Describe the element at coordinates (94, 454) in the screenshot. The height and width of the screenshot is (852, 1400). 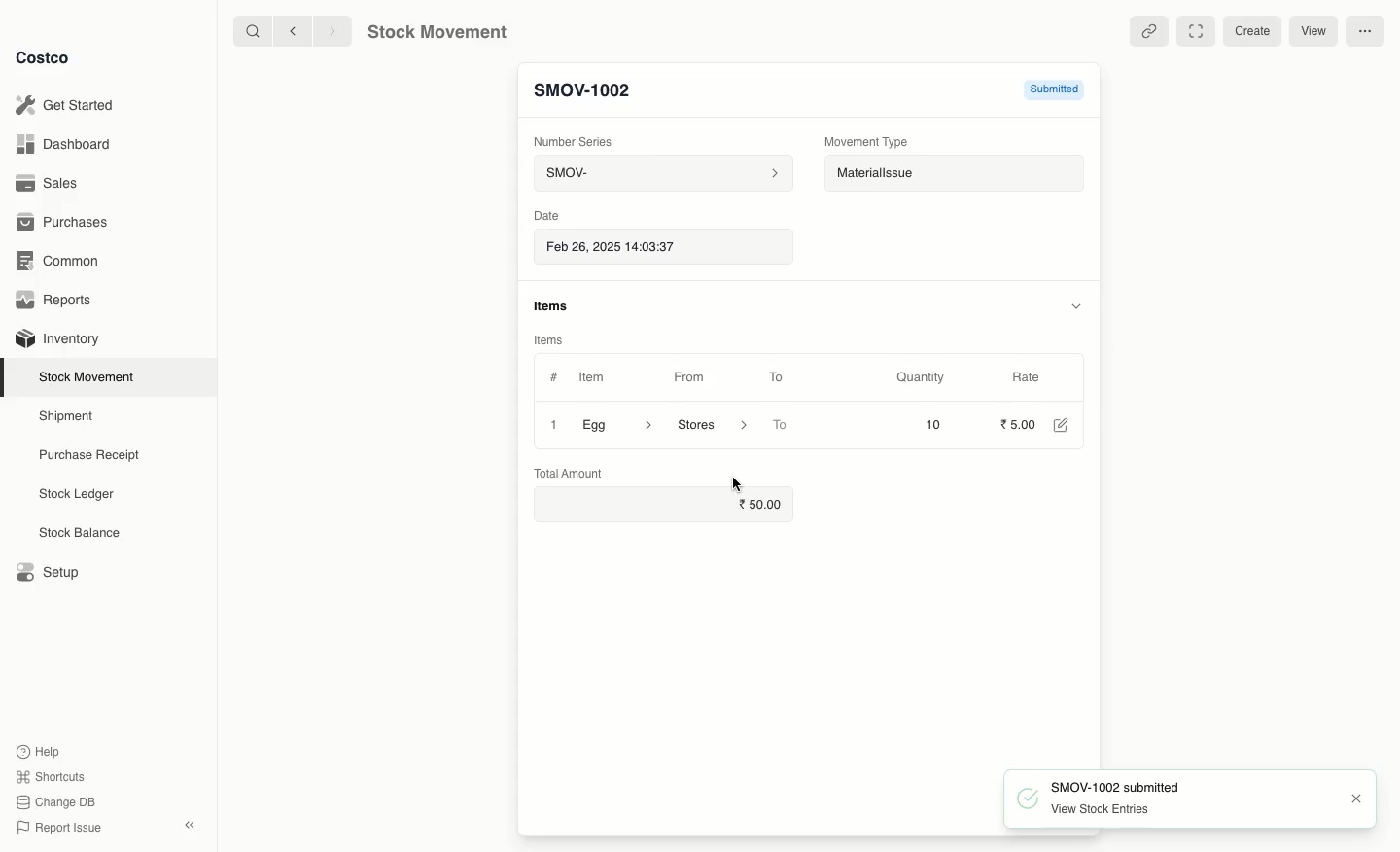
I see `Purchase Receipt` at that location.